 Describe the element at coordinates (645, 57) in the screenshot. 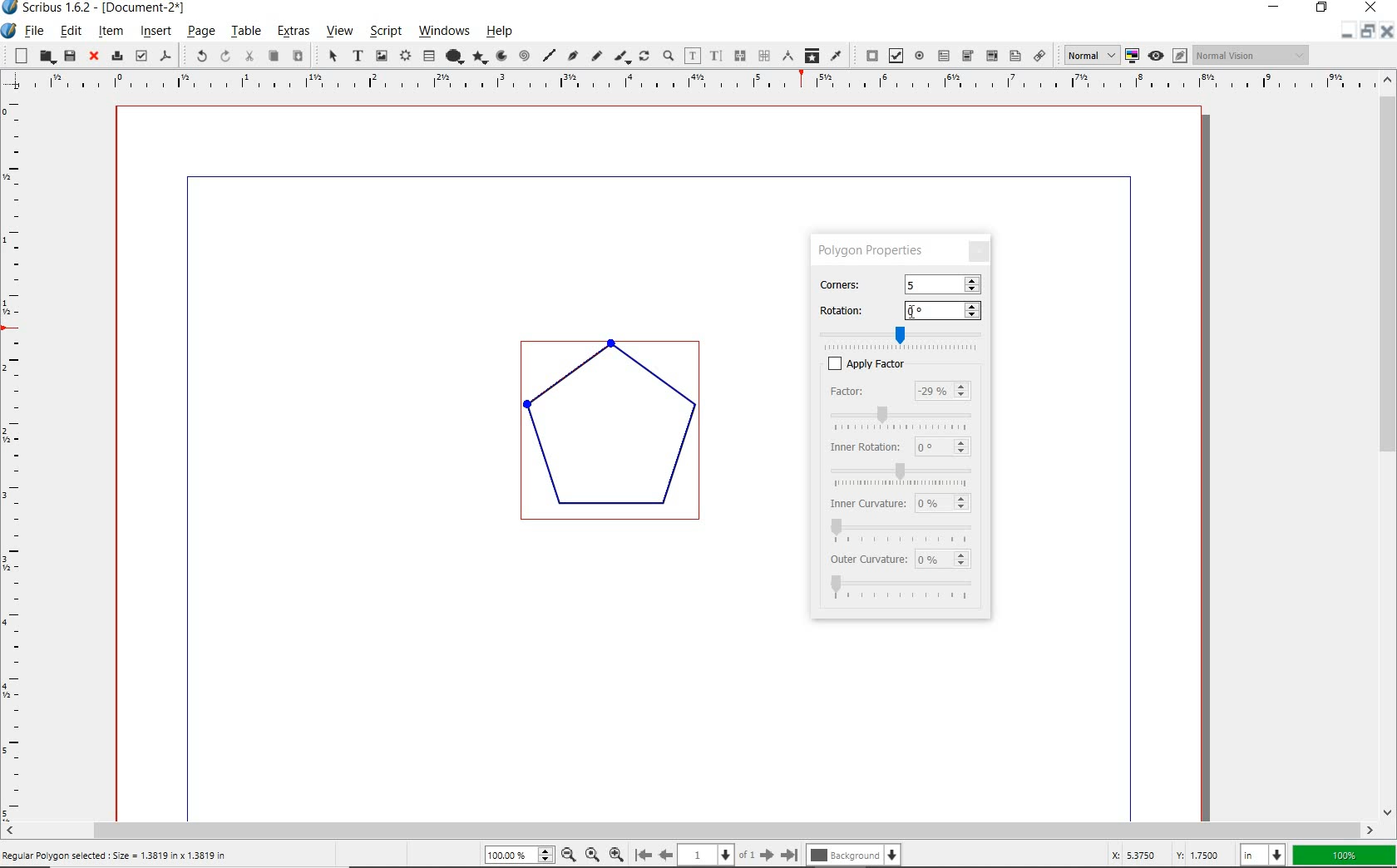

I see `rotate item` at that location.